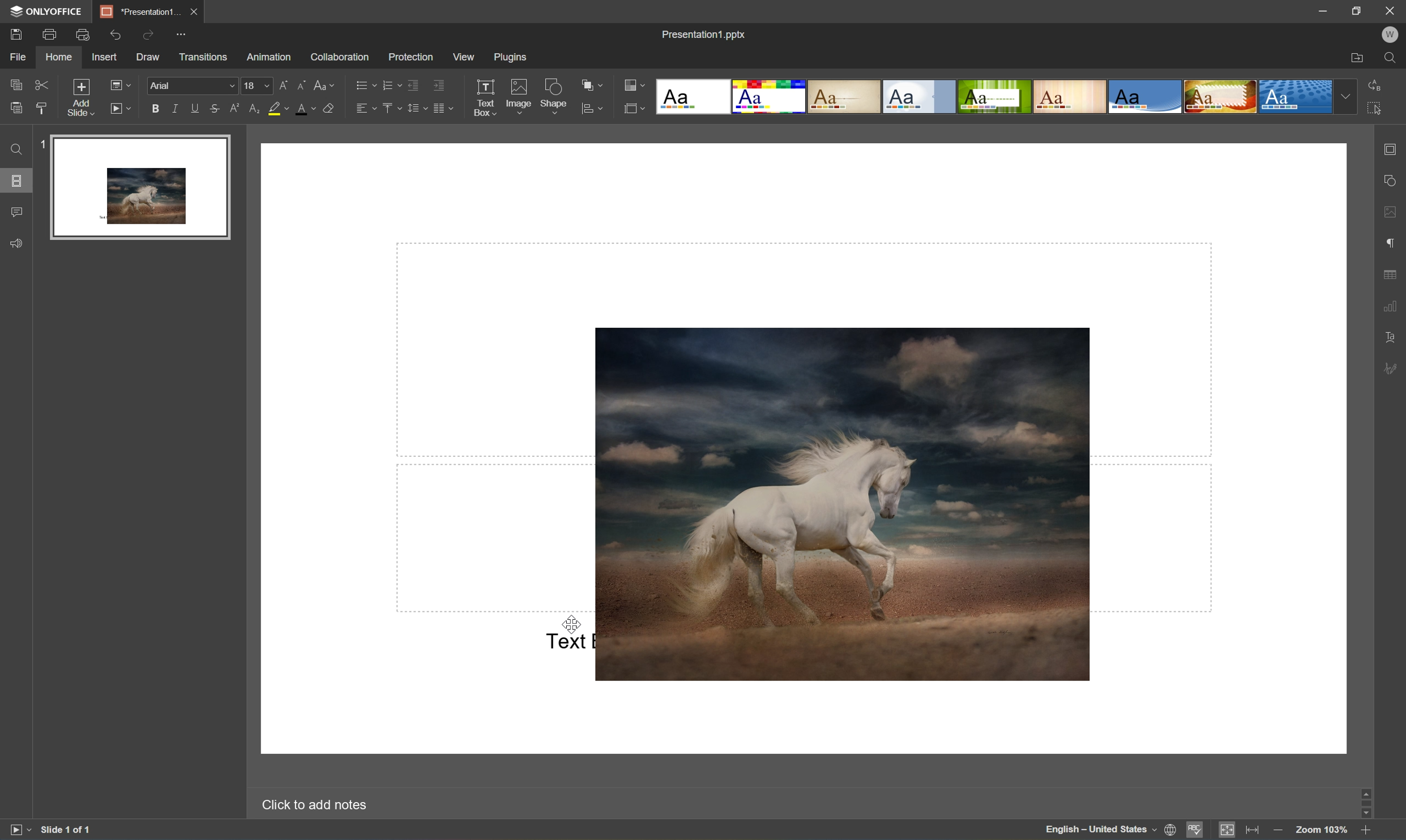 The width and height of the screenshot is (1406, 840). What do you see at coordinates (151, 58) in the screenshot?
I see `Draw` at bounding box center [151, 58].